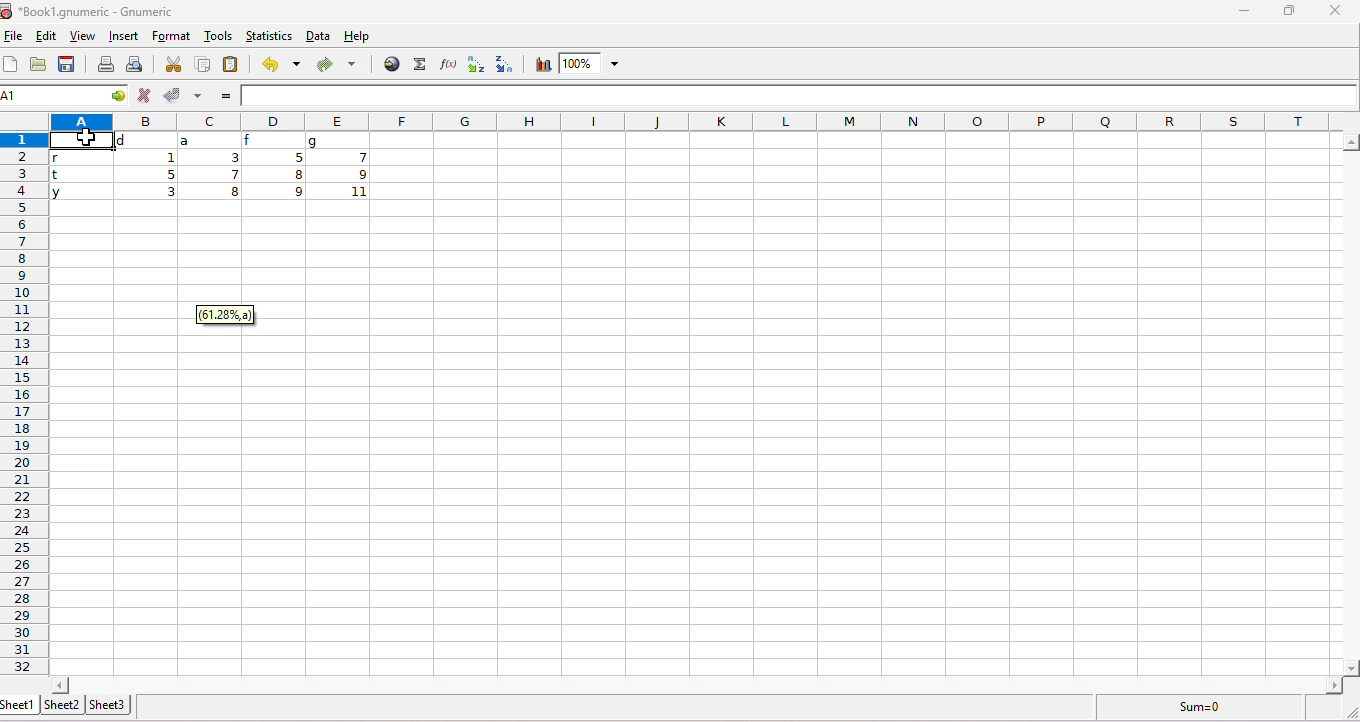 Image resolution: width=1360 pixels, height=722 pixels. I want to click on insert, so click(121, 36).